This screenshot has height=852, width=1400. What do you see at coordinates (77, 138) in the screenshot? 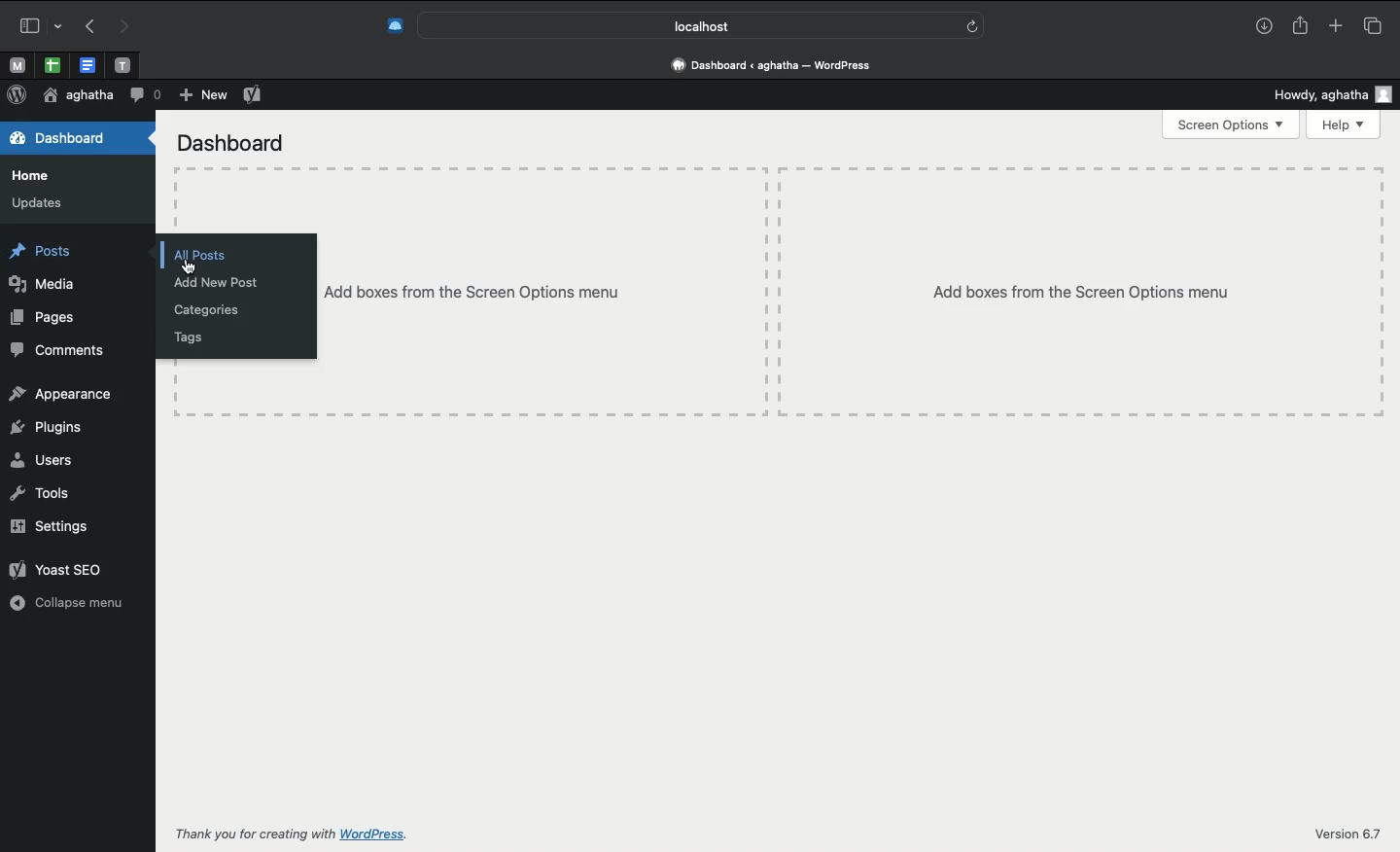
I see `Dashboard` at bounding box center [77, 138].